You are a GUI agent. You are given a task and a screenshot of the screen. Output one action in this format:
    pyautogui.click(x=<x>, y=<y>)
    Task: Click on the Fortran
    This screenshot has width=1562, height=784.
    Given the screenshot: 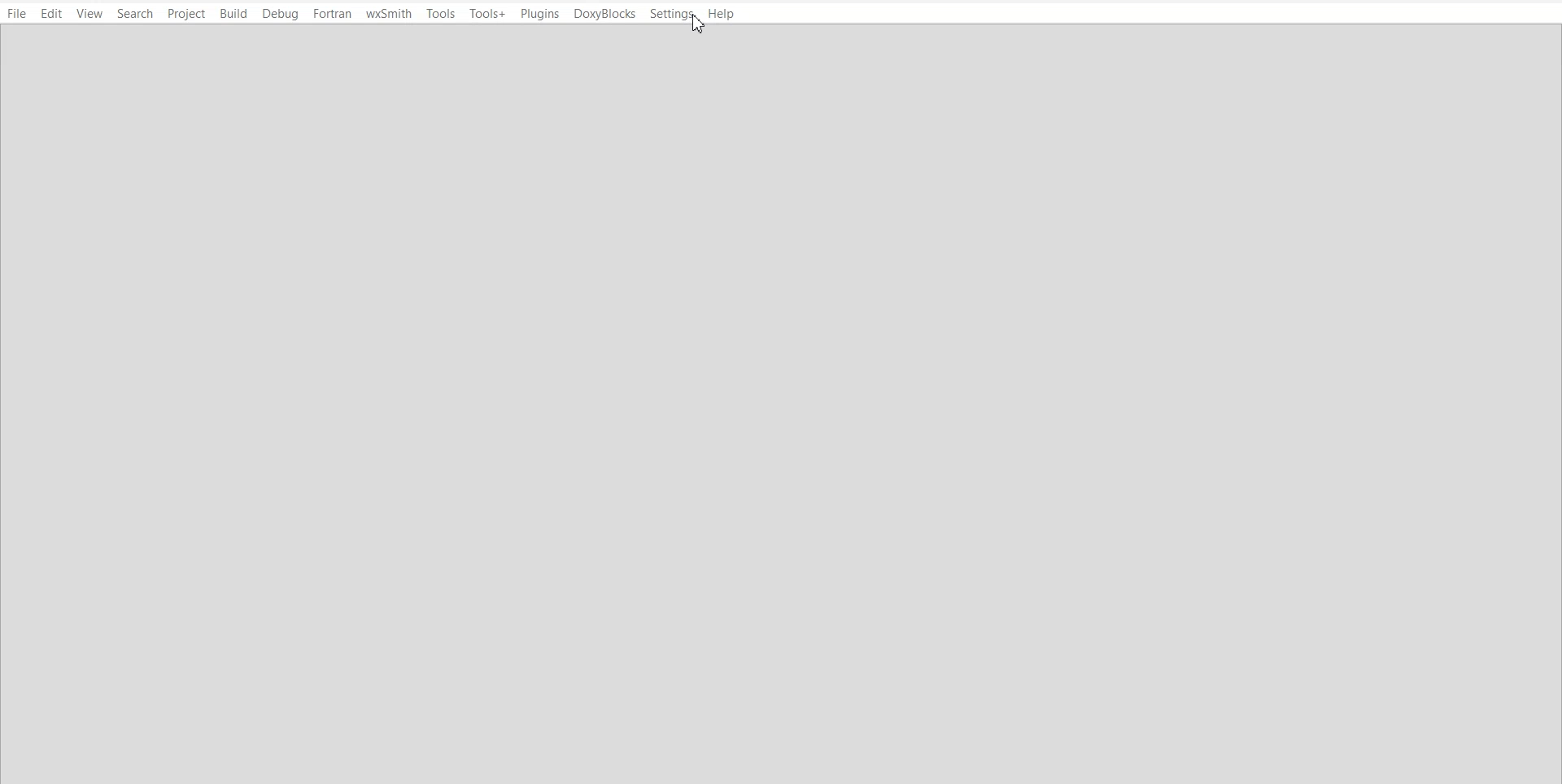 What is the action you would take?
    pyautogui.click(x=331, y=14)
    